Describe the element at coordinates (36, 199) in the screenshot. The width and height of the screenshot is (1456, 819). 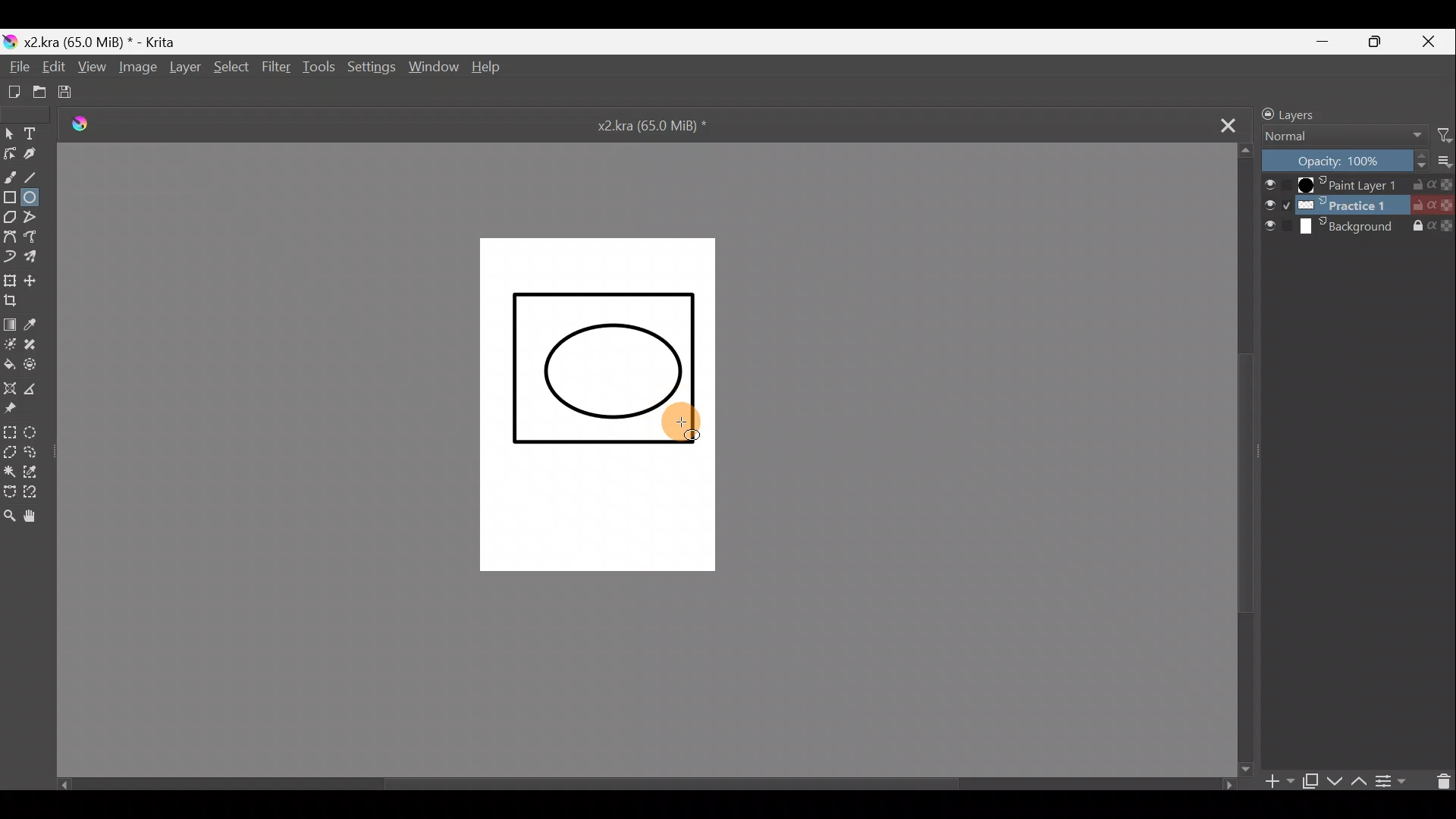
I see `Ellipse tool` at that location.